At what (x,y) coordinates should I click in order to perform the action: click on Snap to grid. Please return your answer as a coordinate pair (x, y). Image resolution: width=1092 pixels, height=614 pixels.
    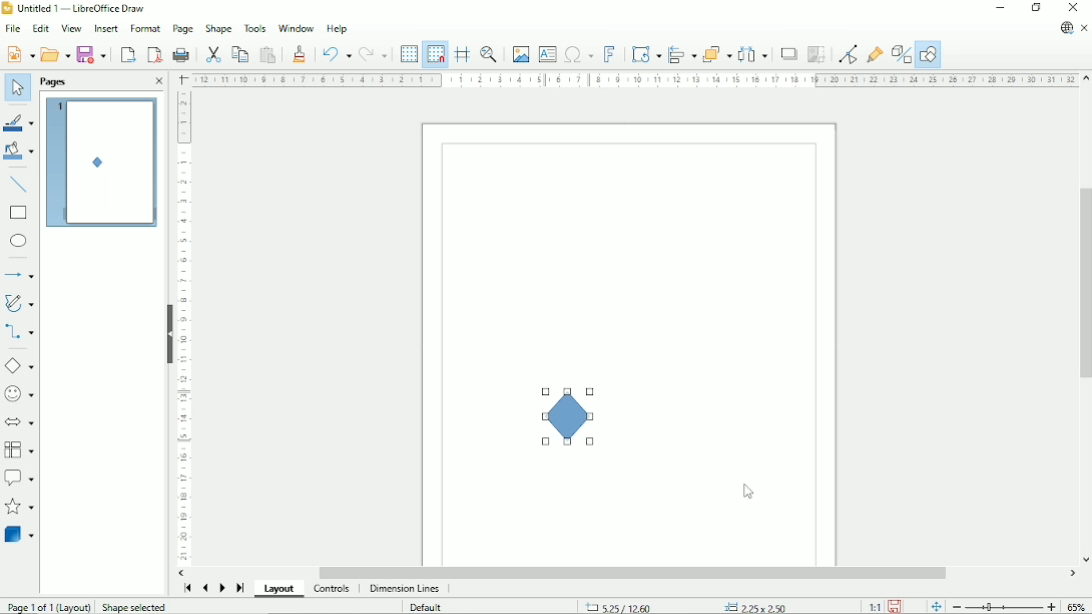
    Looking at the image, I should click on (436, 54).